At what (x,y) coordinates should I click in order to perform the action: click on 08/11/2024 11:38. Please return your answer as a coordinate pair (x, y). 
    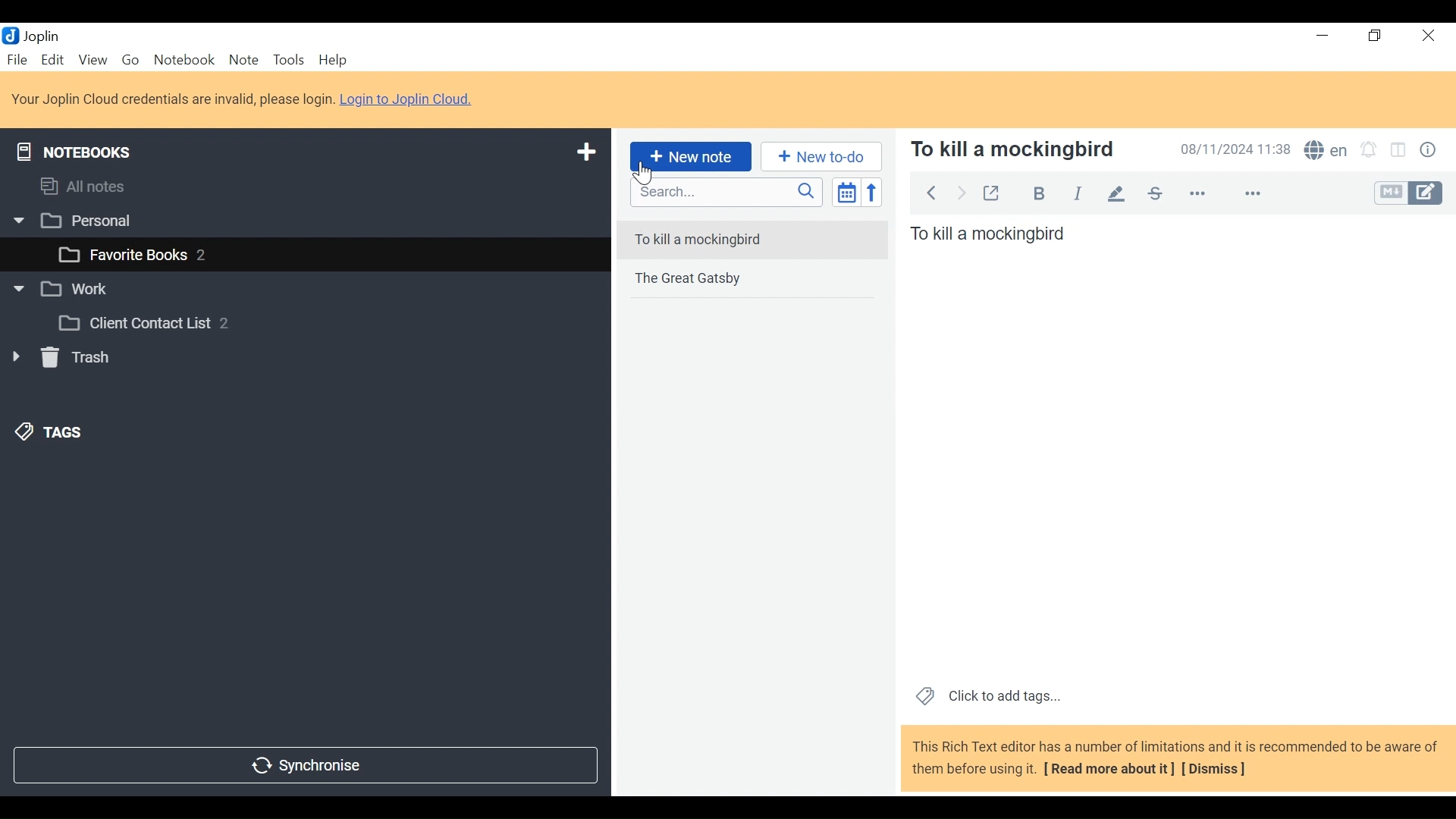
    Looking at the image, I should click on (1233, 150).